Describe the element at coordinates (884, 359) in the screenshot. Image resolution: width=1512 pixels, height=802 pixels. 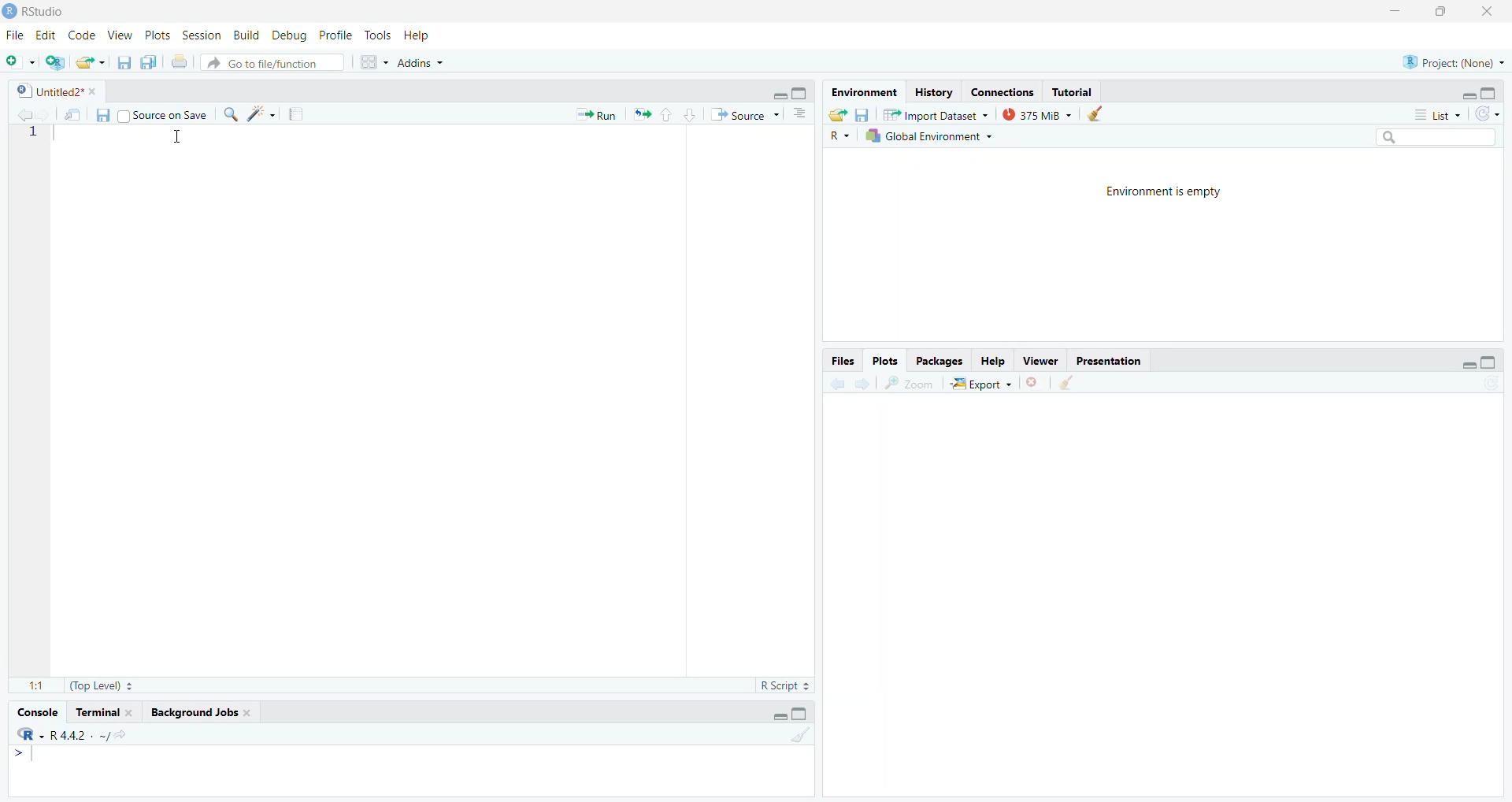
I see `Plots` at that location.